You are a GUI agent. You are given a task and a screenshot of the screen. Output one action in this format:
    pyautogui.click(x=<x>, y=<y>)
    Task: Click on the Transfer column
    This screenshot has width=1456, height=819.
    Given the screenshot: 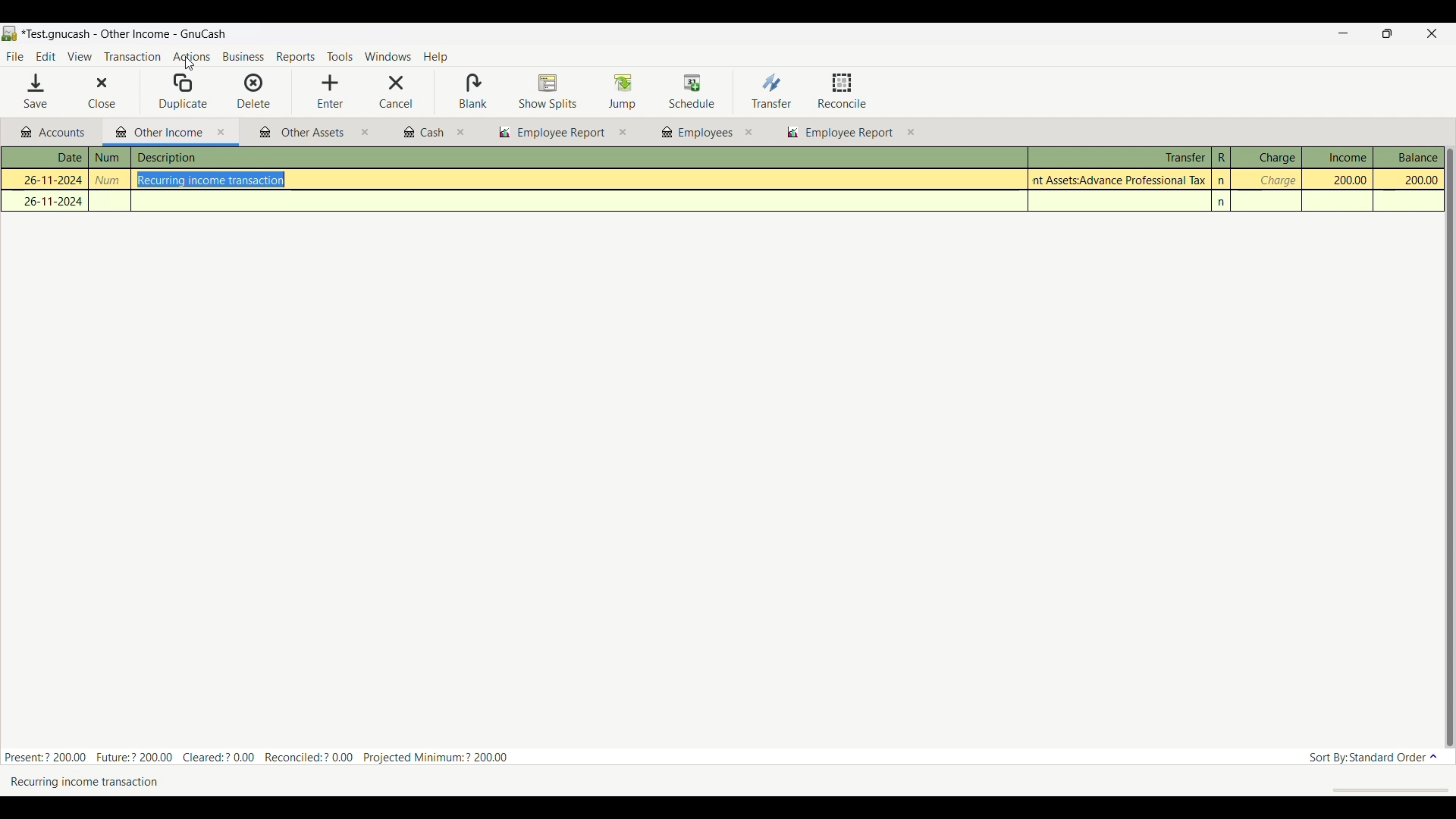 What is the action you would take?
    pyautogui.click(x=1119, y=155)
    